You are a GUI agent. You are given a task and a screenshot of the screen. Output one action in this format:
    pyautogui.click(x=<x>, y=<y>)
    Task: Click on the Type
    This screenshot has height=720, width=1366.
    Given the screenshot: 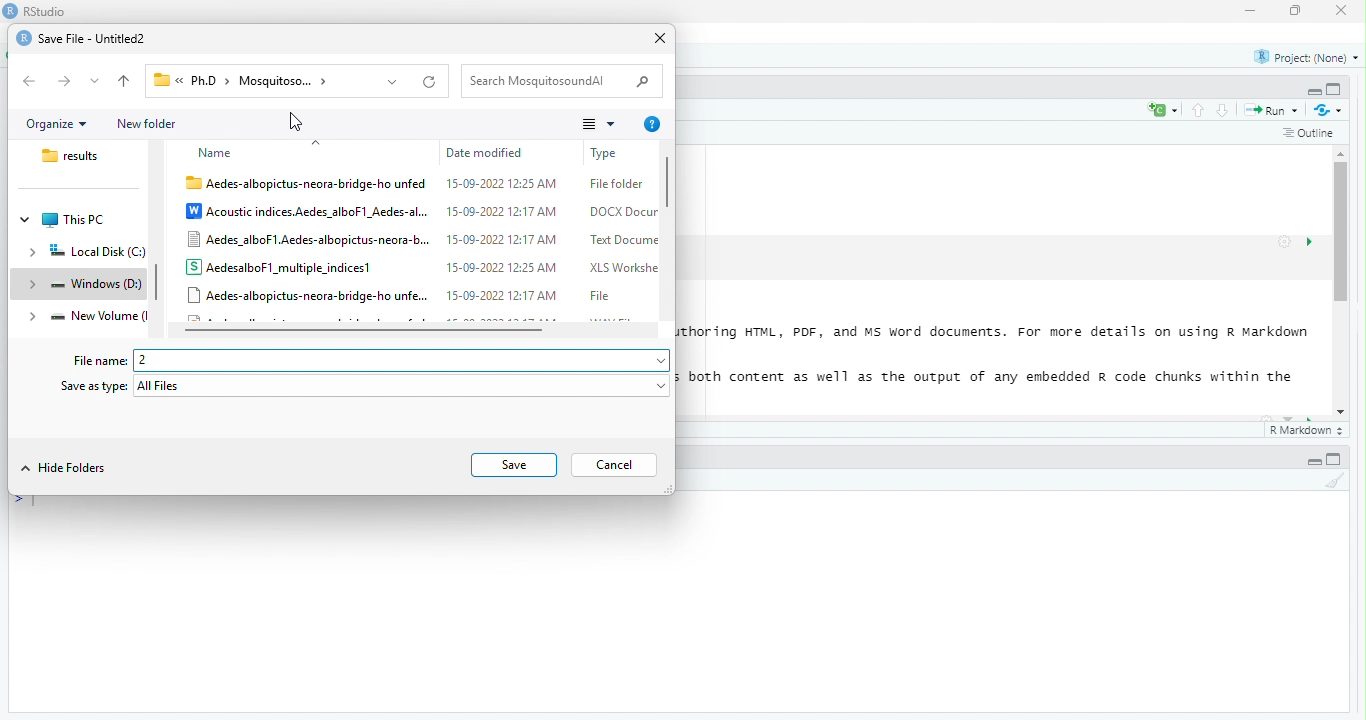 What is the action you would take?
    pyautogui.click(x=610, y=154)
    